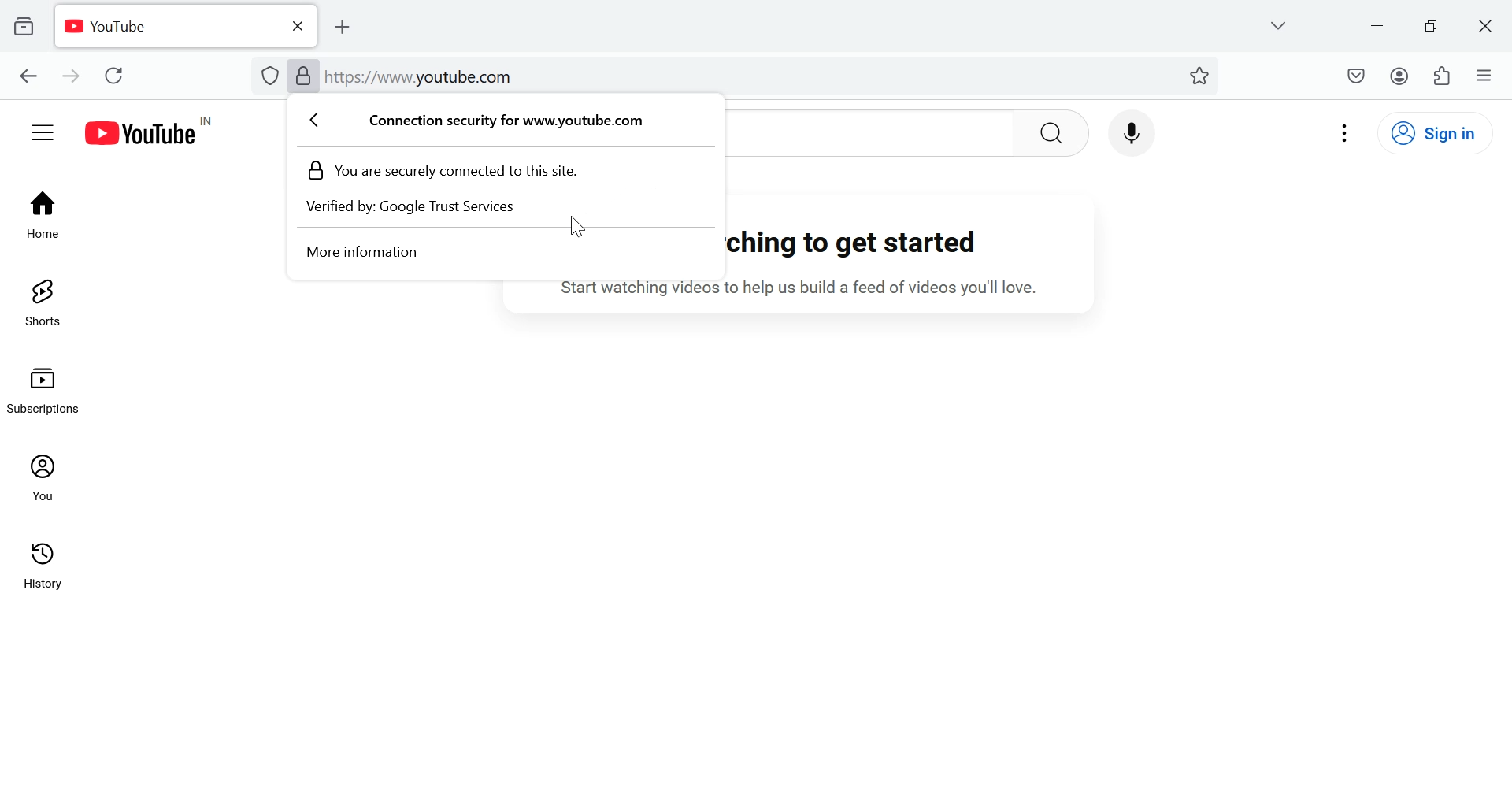  Describe the element at coordinates (28, 77) in the screenshot. I see `Go back one page. Right-click or pull down to show history` at that location.